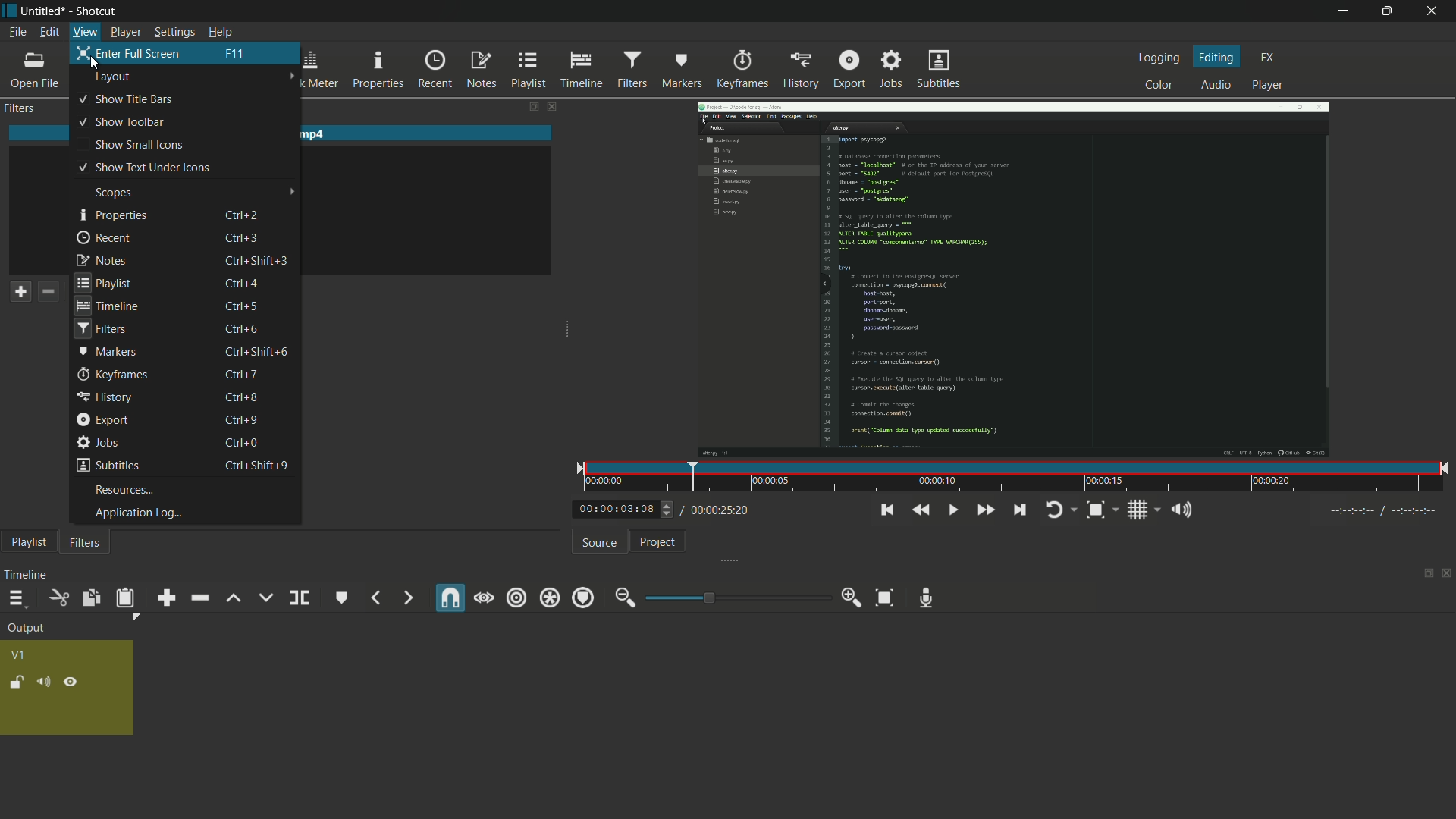 The height and width of the screenshot is (819, 1456). What do you see at coordinates (95, 444) in the screenshot?
I see `jobs` at bounding box center [95, 444].